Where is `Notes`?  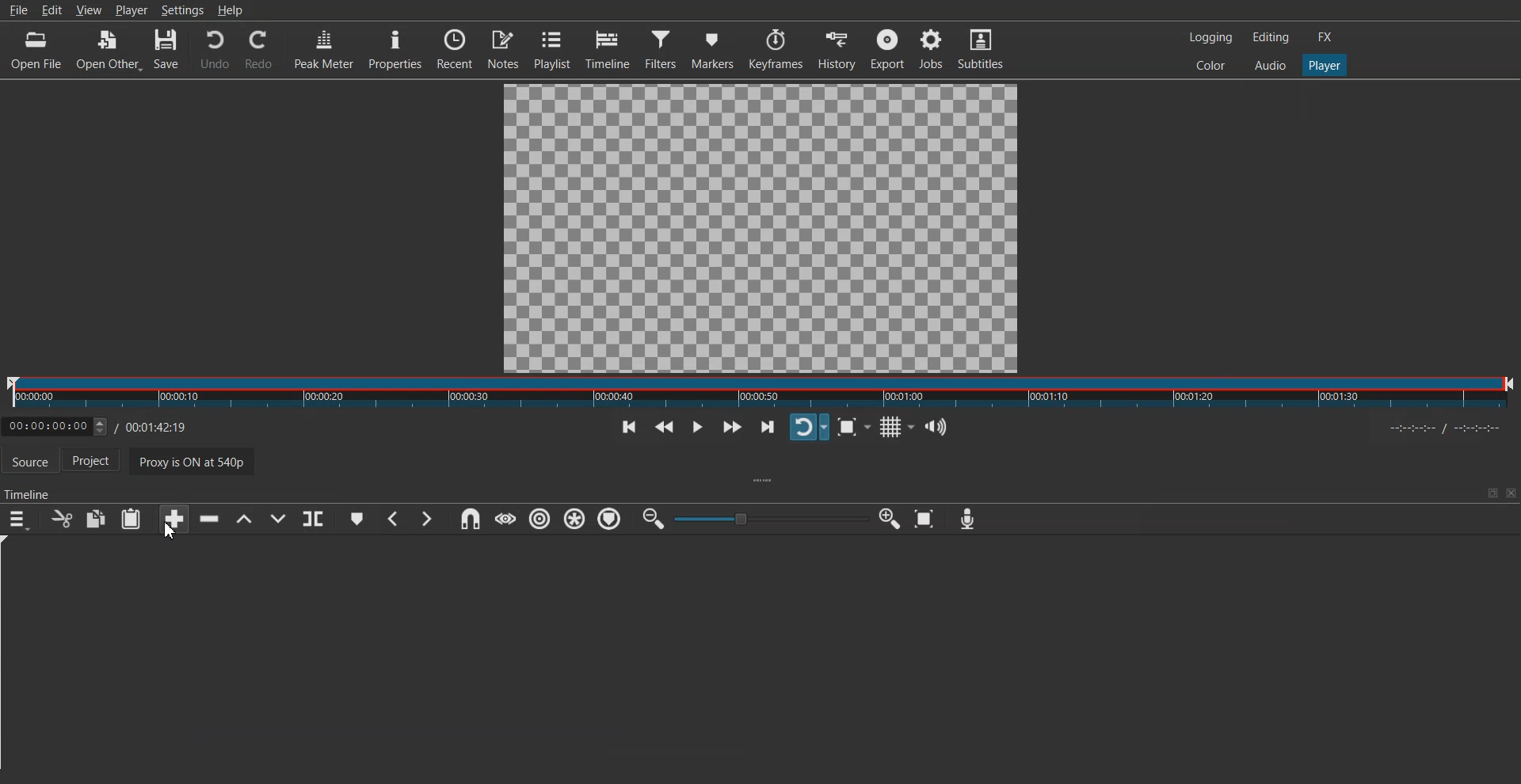 Notes is located at coordinates (503, 48).